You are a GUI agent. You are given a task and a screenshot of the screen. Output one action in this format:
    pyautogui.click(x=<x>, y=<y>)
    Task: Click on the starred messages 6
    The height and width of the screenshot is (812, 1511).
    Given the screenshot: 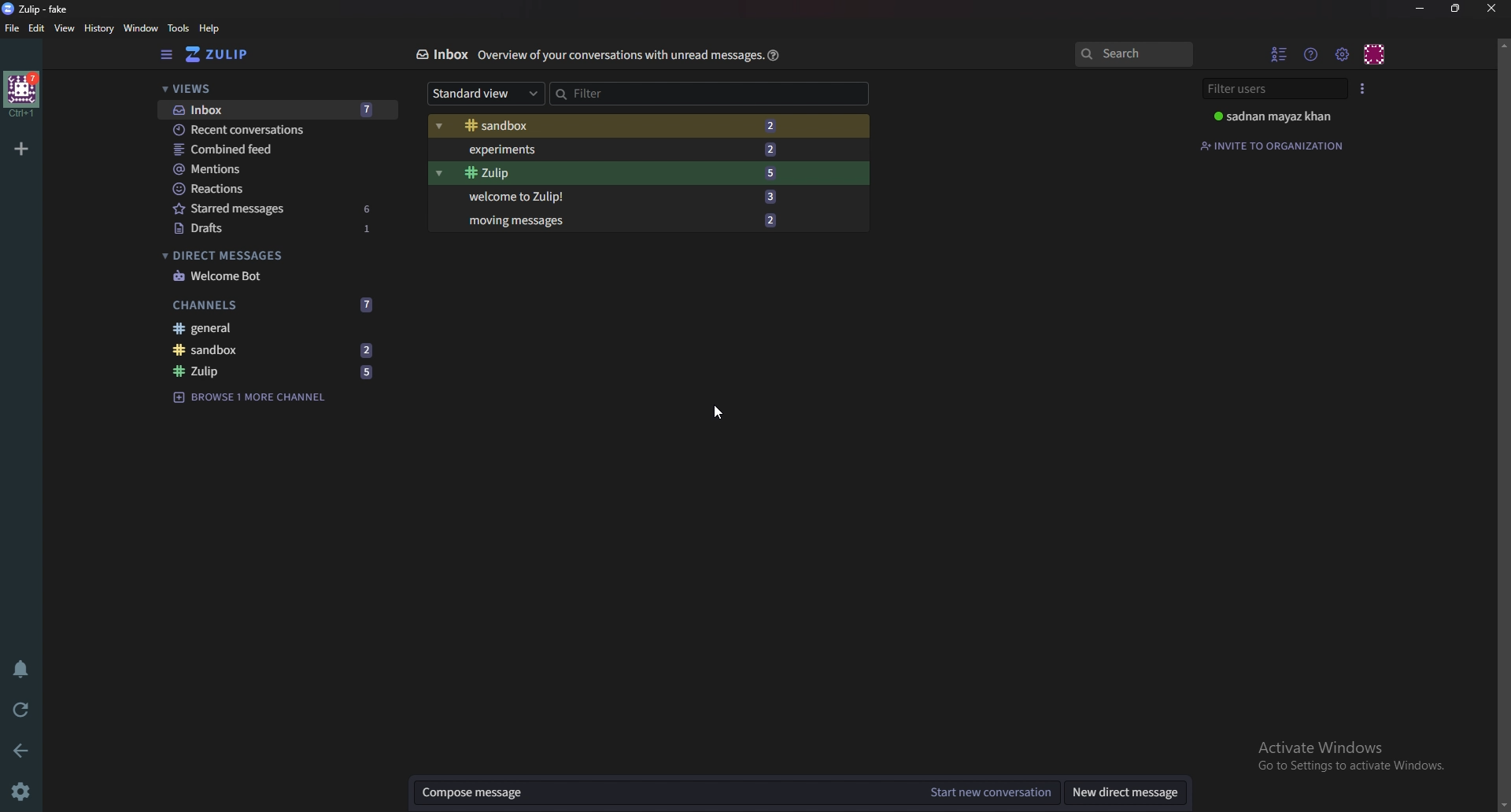 What is the action you would take?
    pyautogui.click(x=275, y=209)
    